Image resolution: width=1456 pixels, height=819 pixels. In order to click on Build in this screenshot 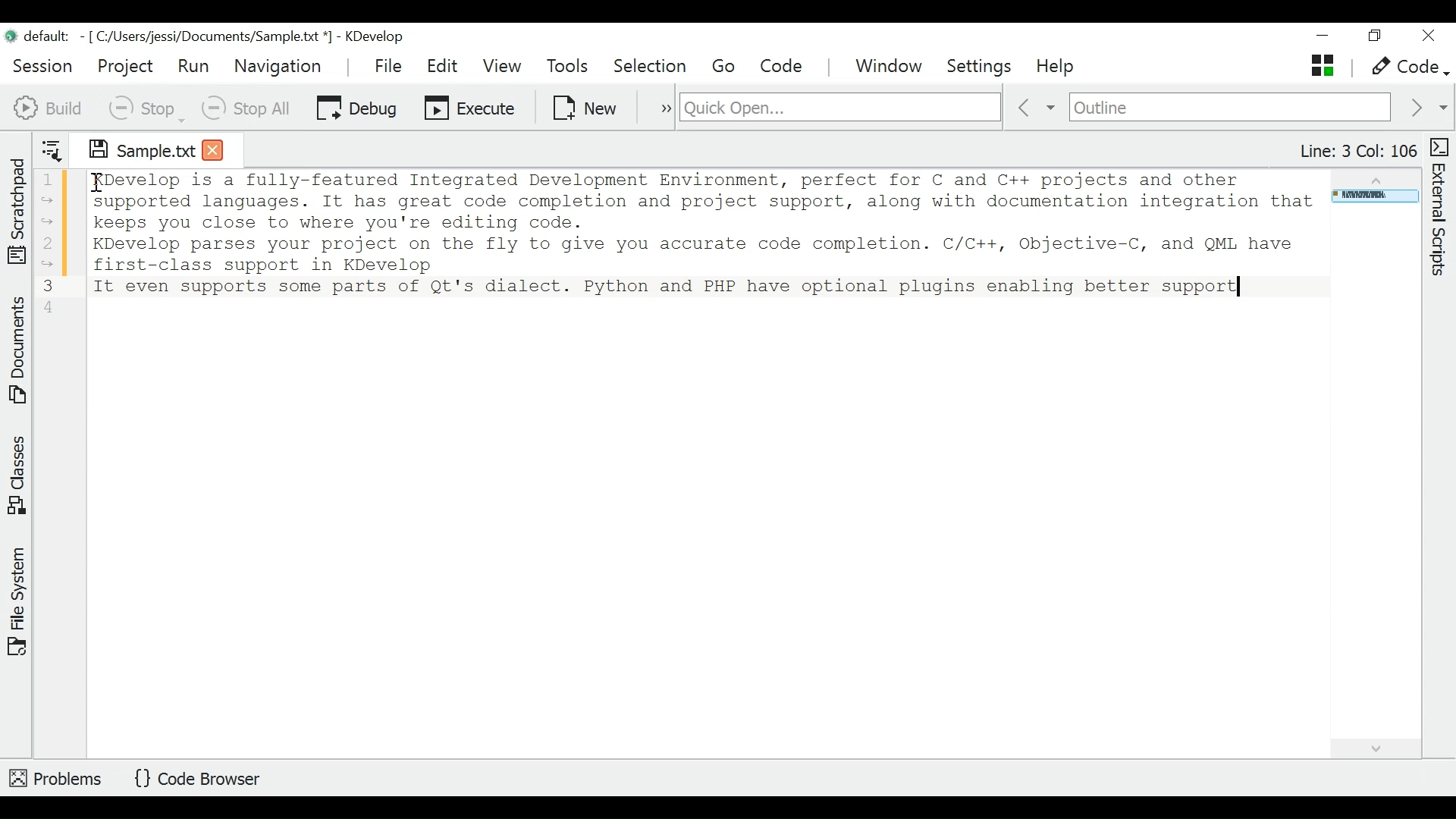, I will do `click(49, 106)`.